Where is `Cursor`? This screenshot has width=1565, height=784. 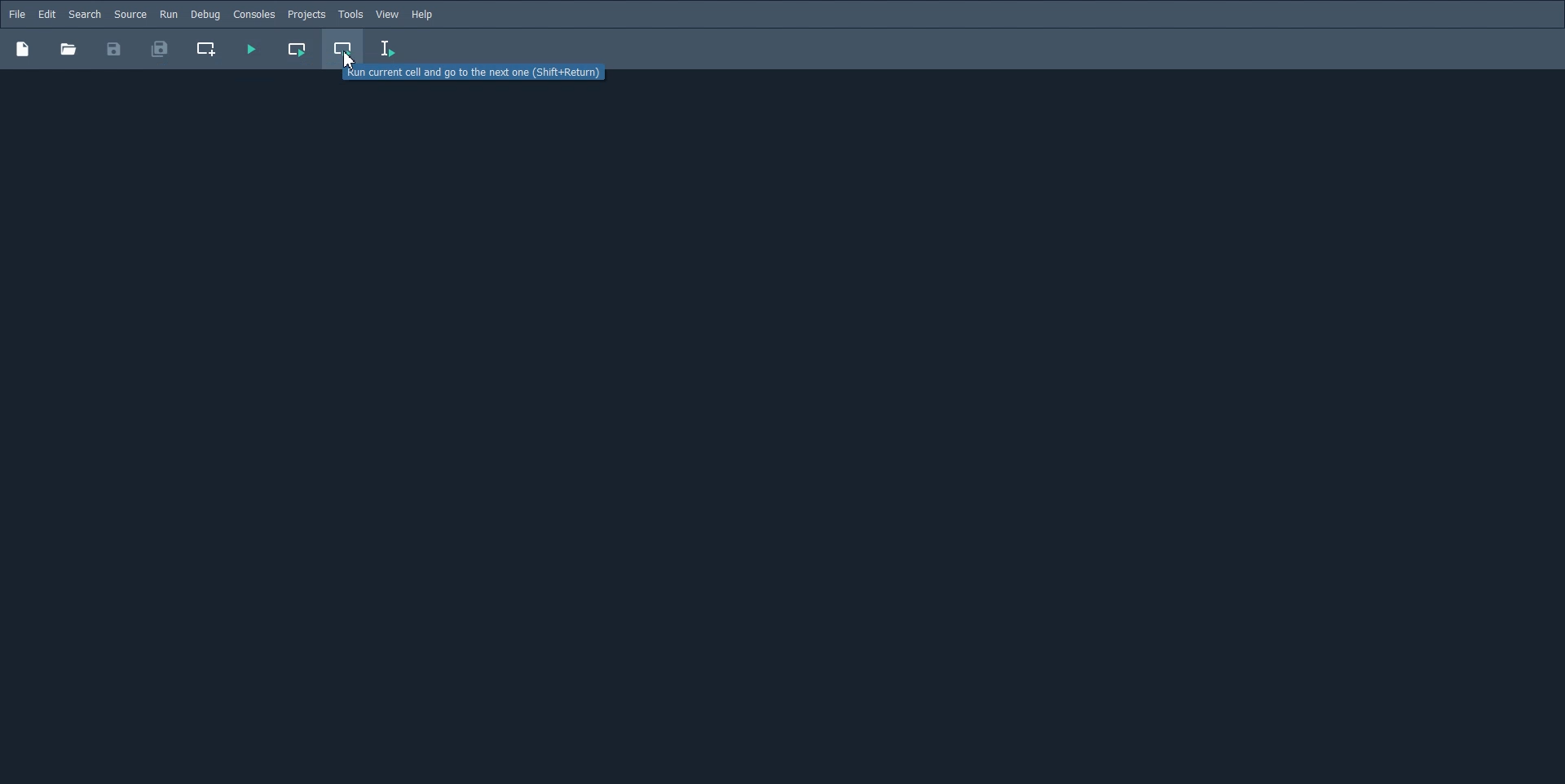
Cursor is located at coordinates (349, 60).